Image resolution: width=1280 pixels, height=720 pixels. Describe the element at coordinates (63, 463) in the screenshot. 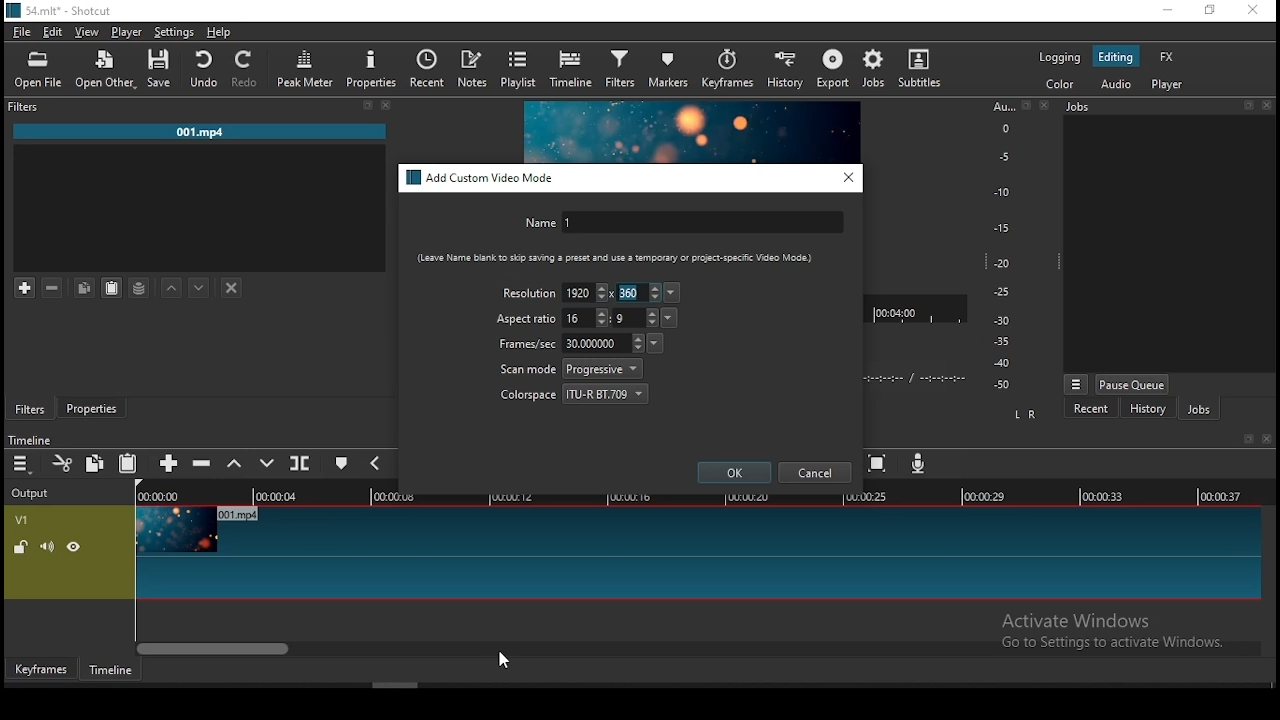

I see `cut` at that location.